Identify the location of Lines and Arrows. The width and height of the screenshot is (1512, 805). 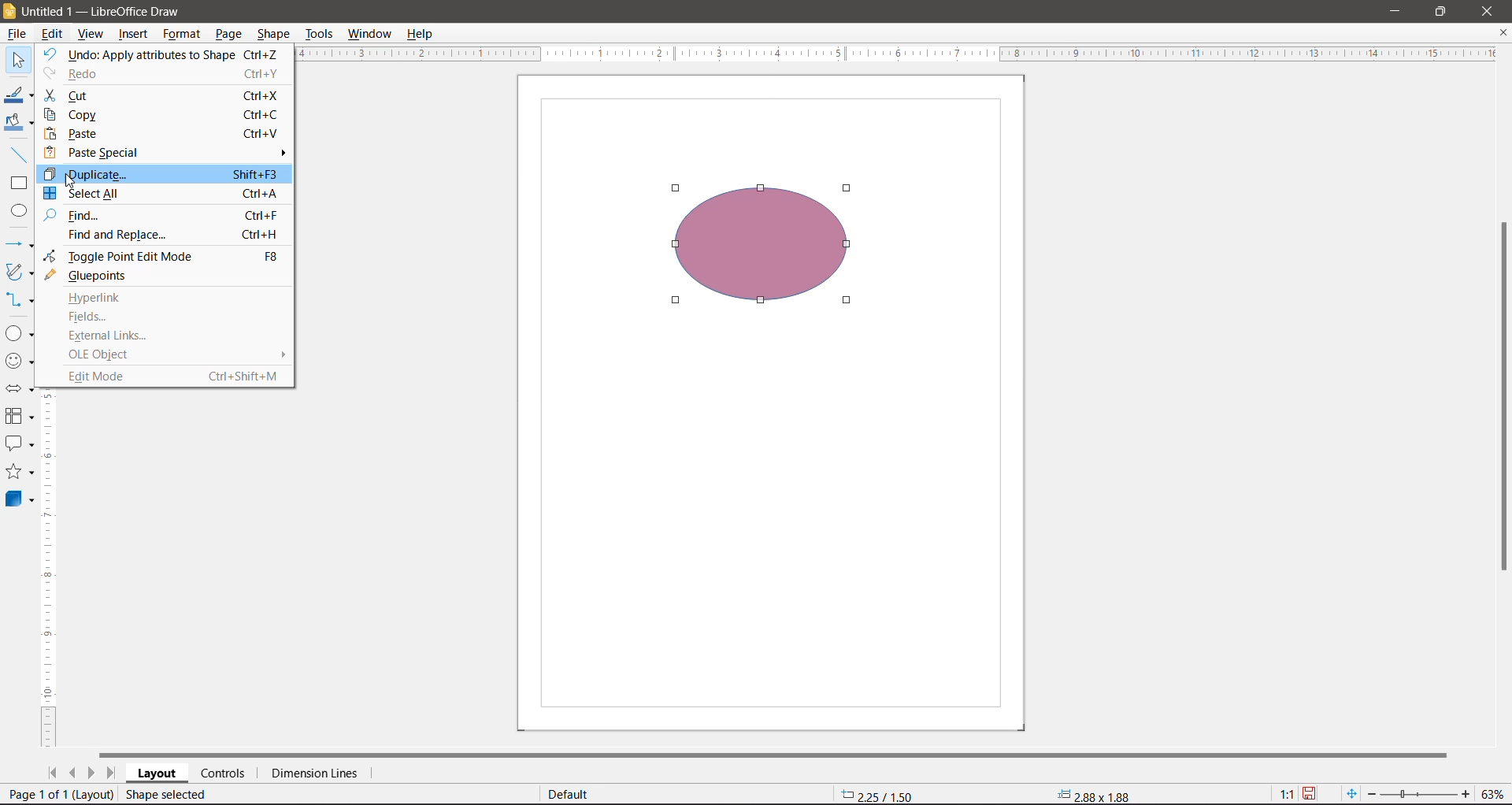
(20, 244).